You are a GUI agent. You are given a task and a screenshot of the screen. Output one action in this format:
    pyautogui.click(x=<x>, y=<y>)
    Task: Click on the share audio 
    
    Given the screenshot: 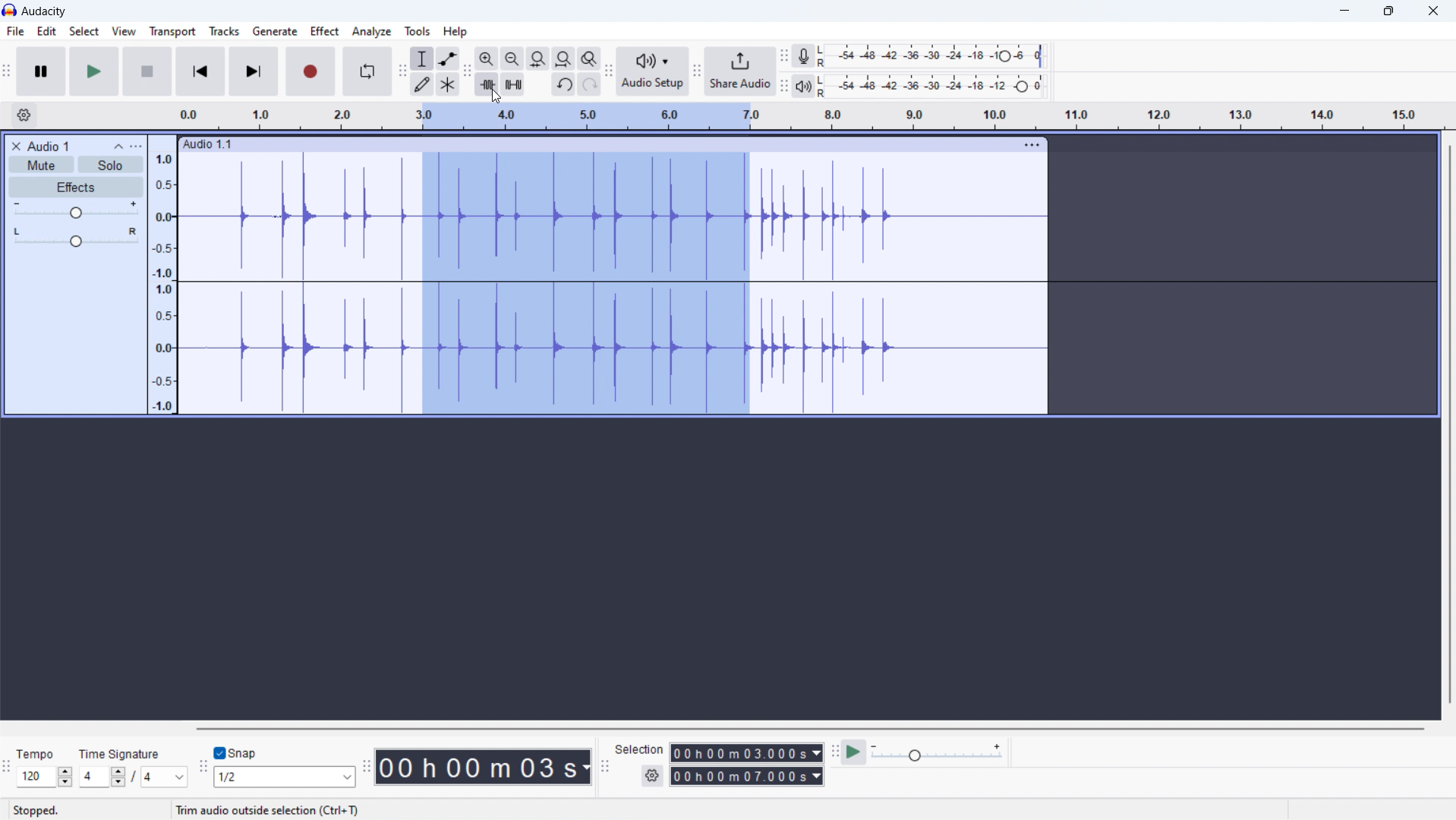 What is the action you would take?
    pyautogui.click(x=740, y=71)
    